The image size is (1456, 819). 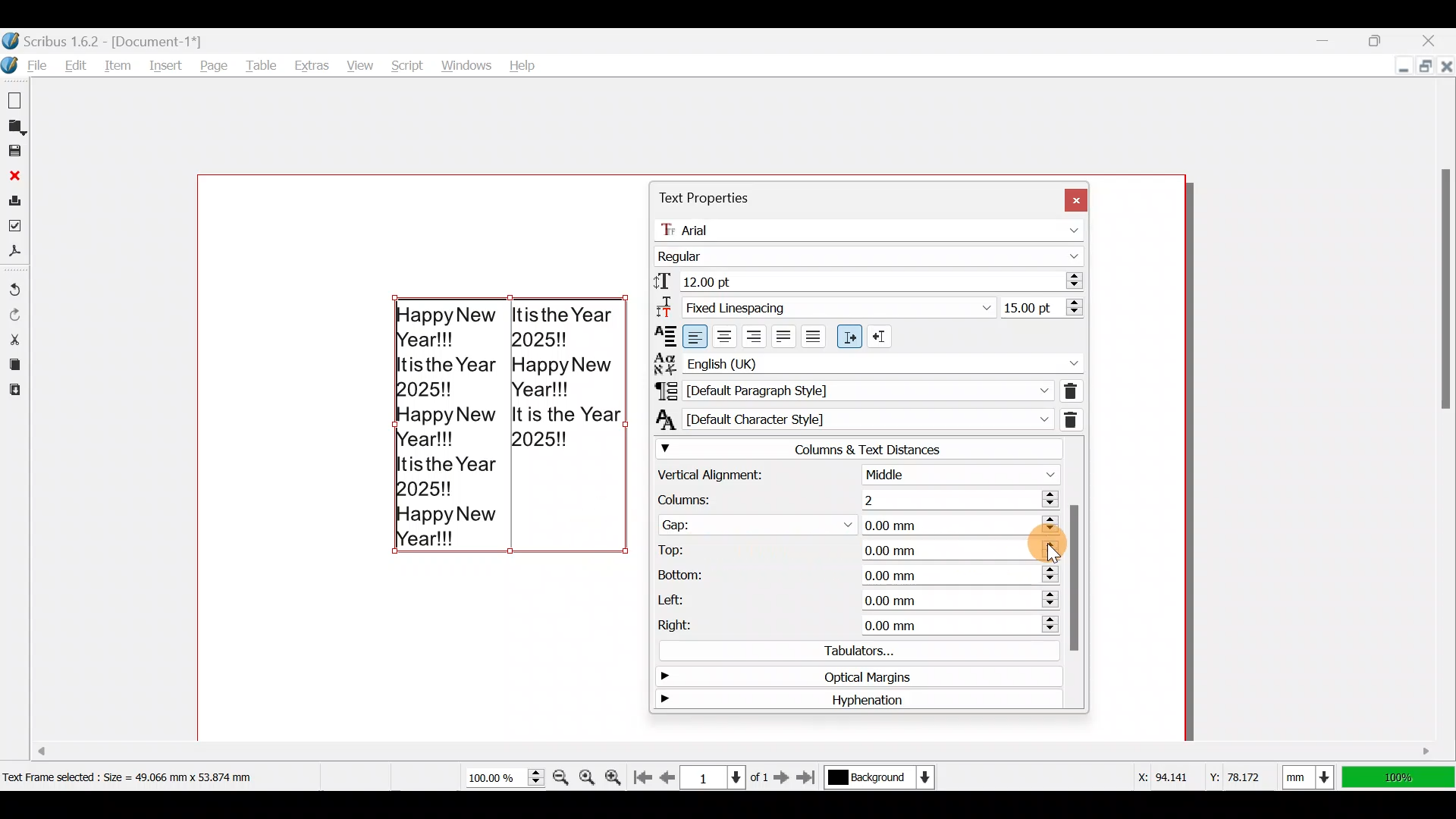 What do you see at coordinates (466, 61) in the screenshot?
I see `Windows` at bounding box center [466, 61].